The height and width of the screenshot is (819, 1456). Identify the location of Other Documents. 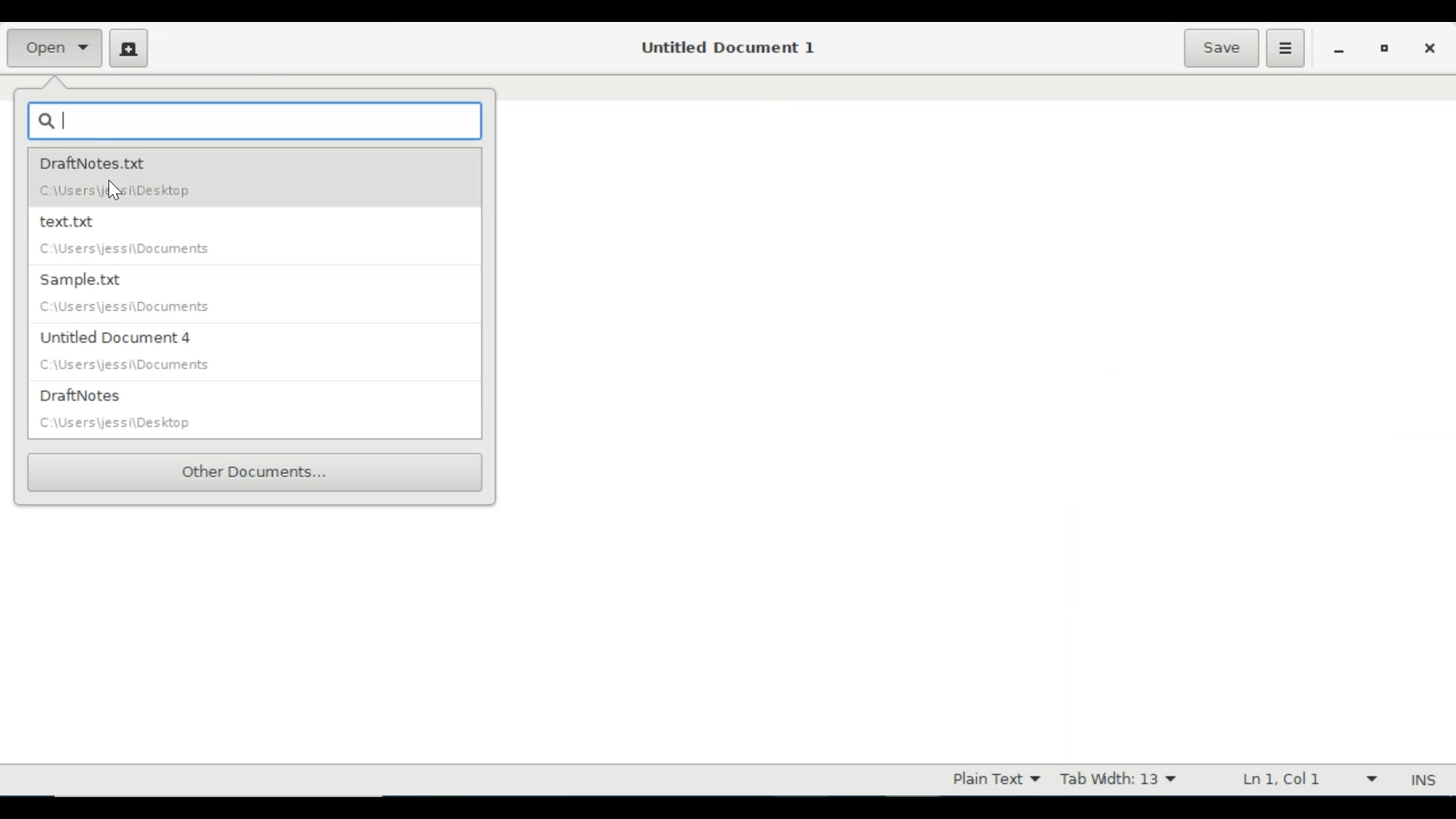
(256, 472).